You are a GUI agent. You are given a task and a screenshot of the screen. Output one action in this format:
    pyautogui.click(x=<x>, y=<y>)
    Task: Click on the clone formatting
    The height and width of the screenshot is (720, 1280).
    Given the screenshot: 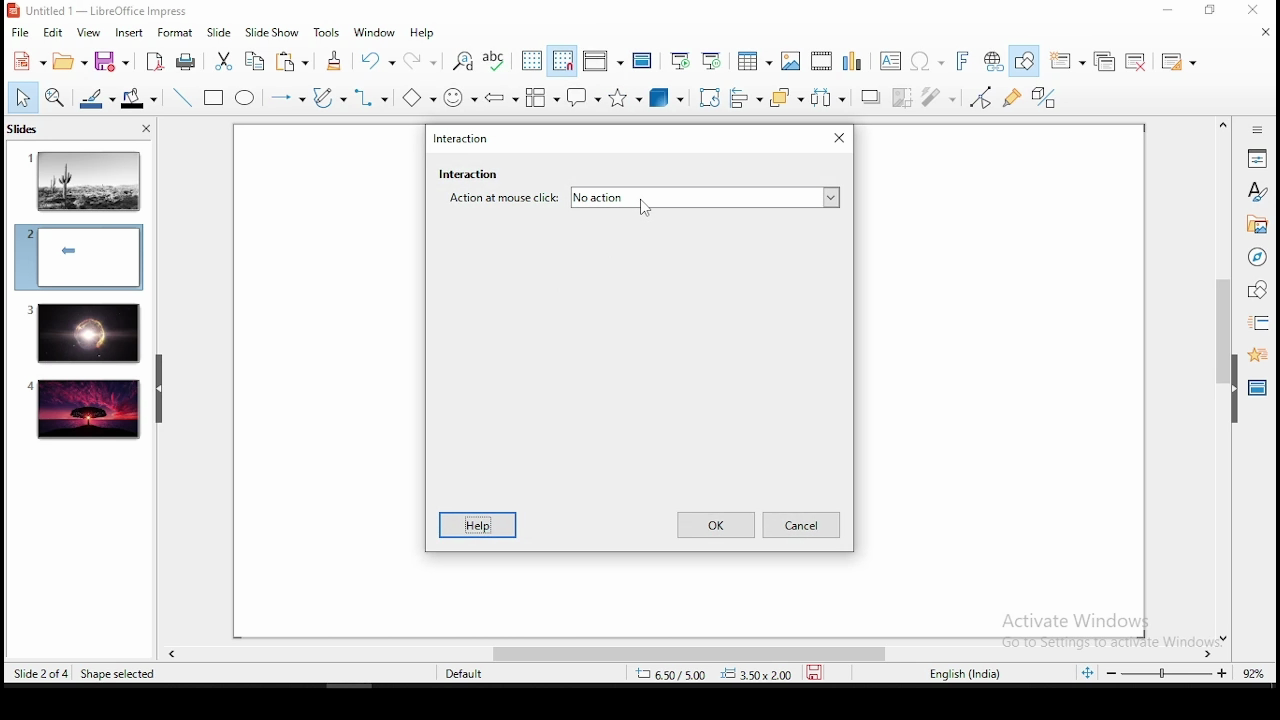 What is the action you would take?
    pyautogui.click(x=335, y=61)
    